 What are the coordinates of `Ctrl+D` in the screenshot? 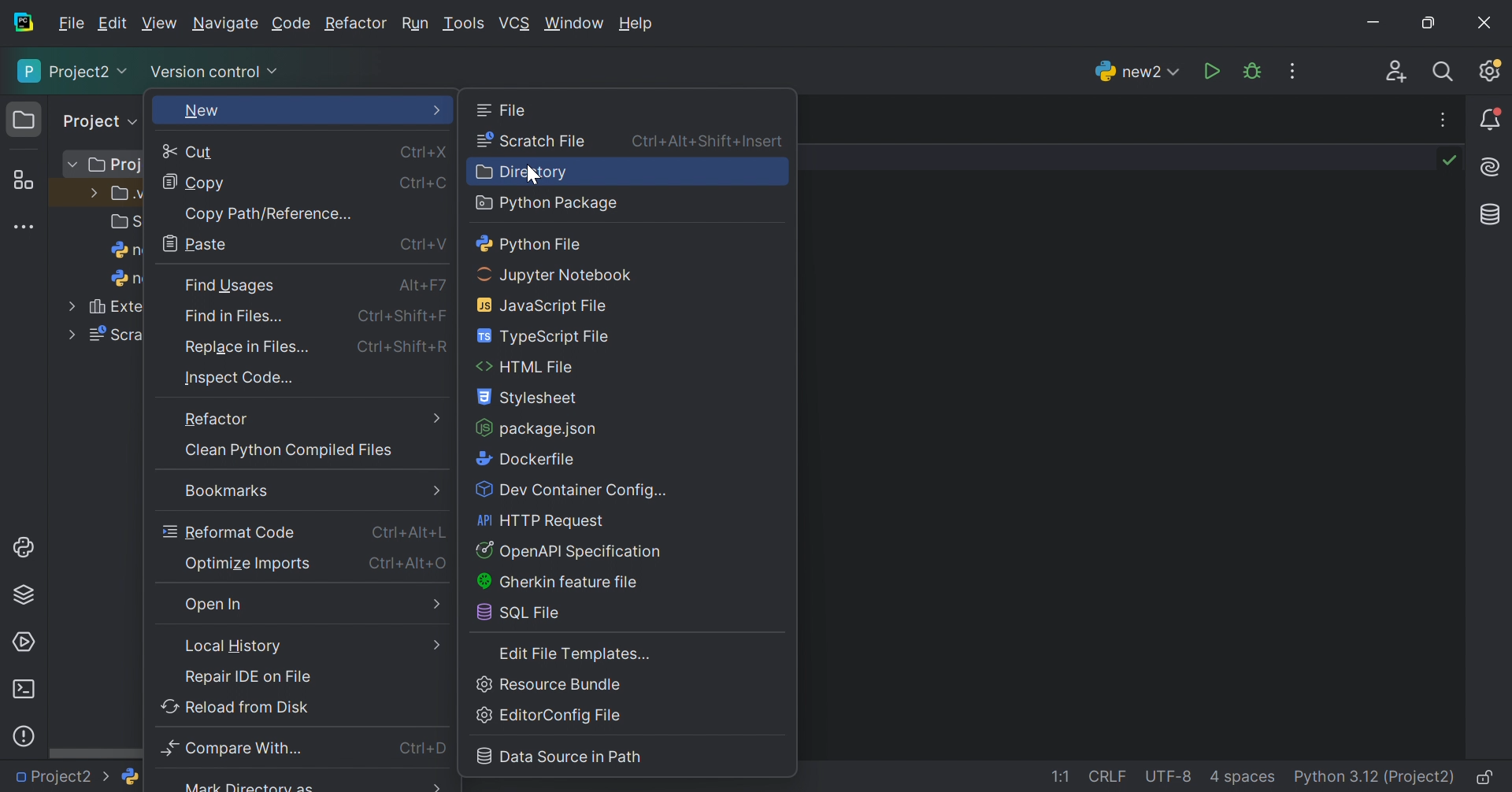 It's located at (423, 747).